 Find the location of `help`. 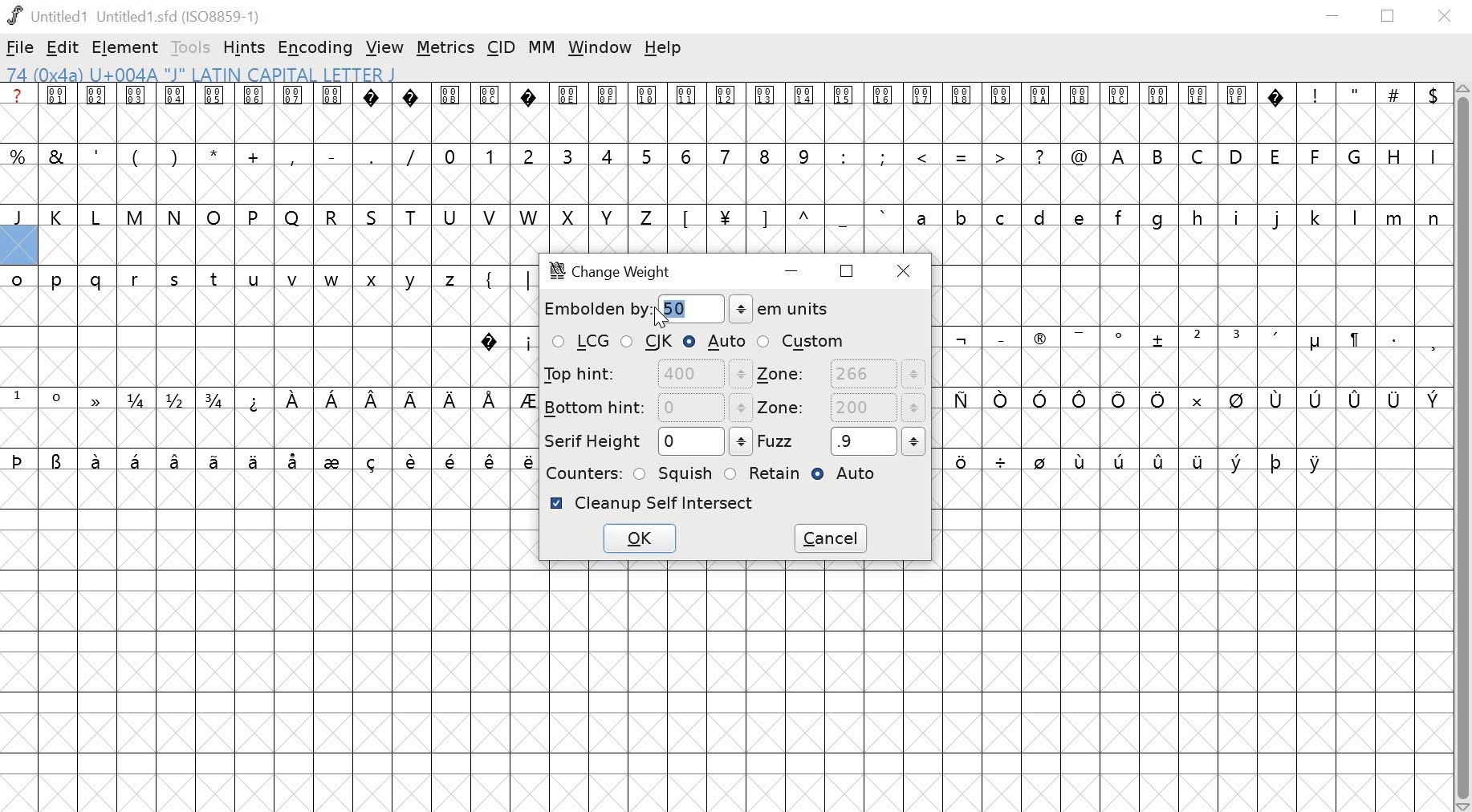

help is located at coordinates (663, 48).